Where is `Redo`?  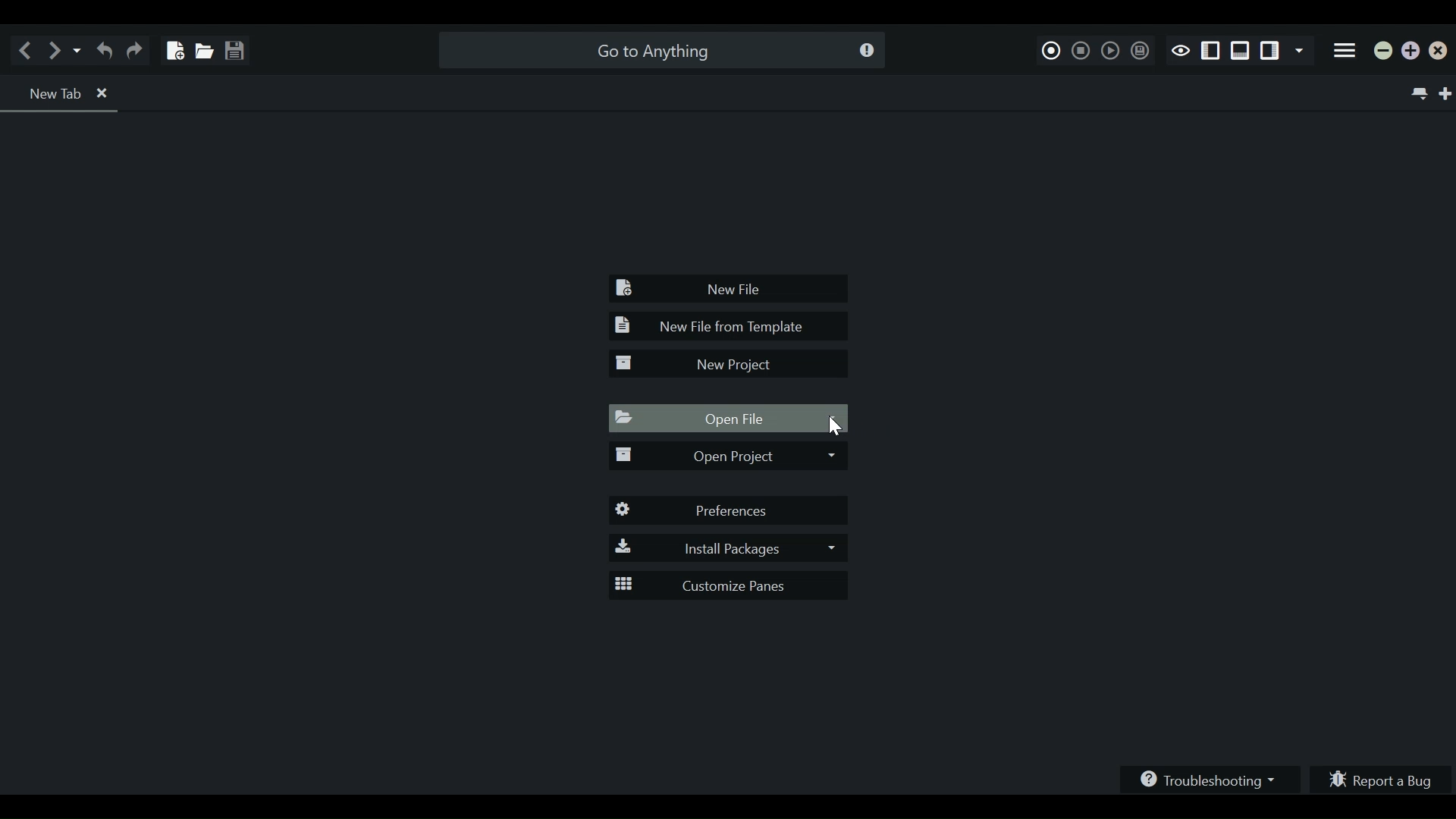
Redo is located at coordinates (137, 50).